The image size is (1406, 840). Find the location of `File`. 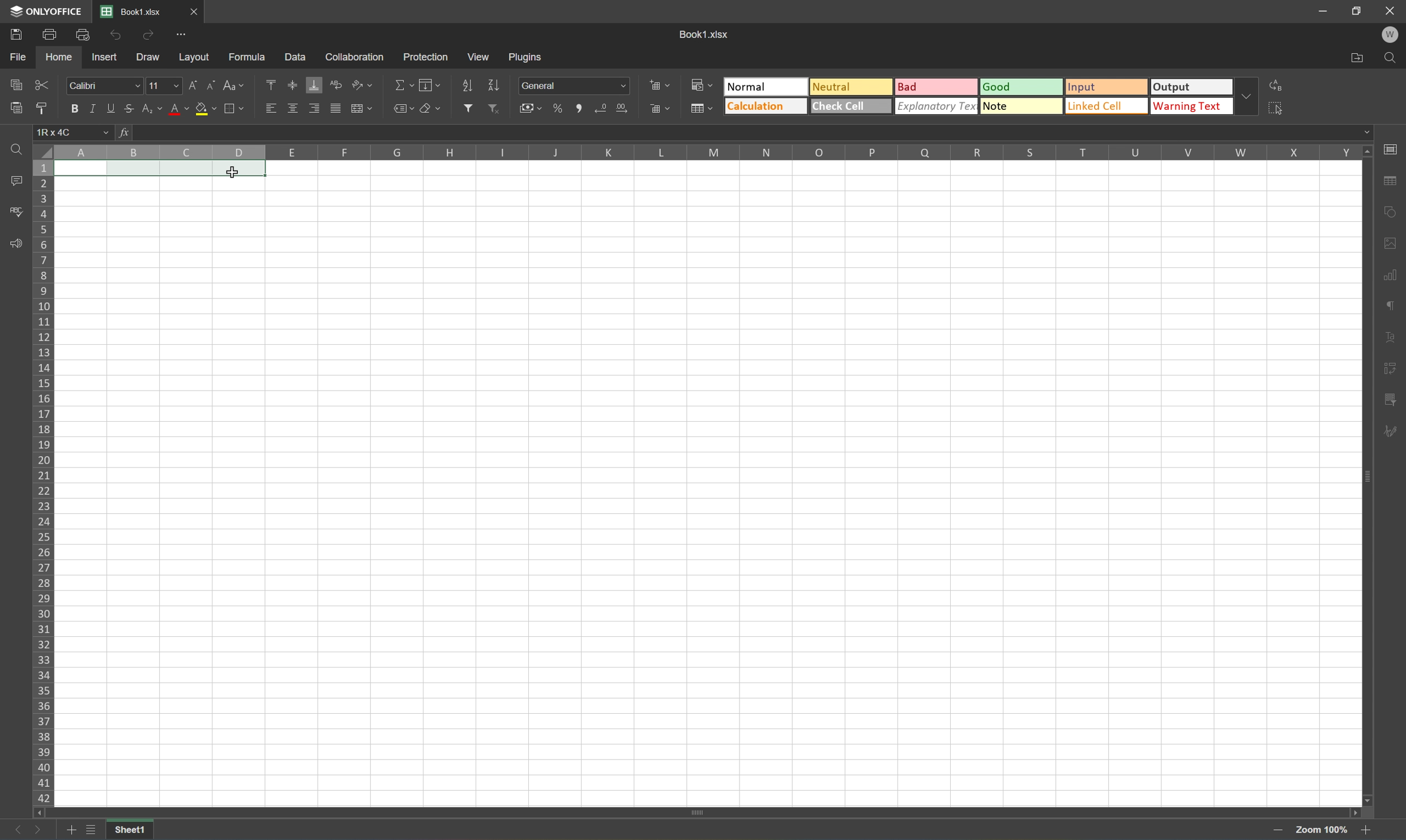

File is located at coordinates (19, 58).